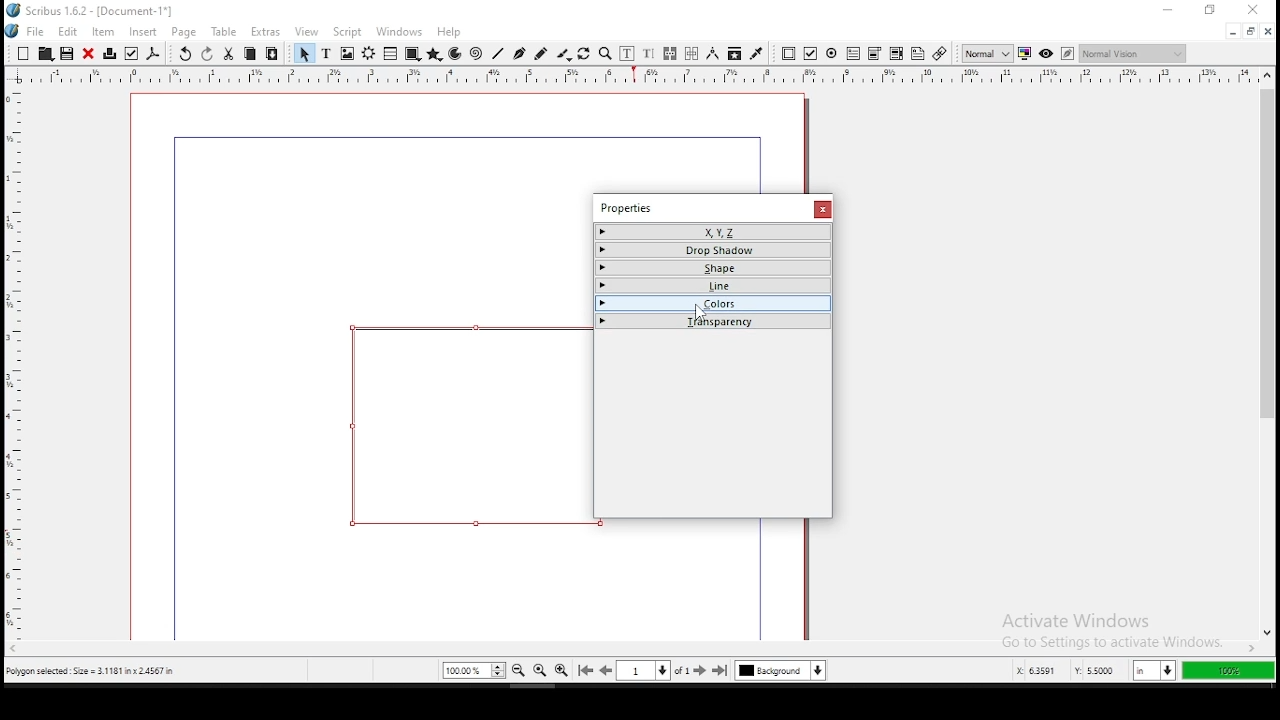  Describe the element at coordinates (144, 32) in the screenshot. I see `insert` at that location.